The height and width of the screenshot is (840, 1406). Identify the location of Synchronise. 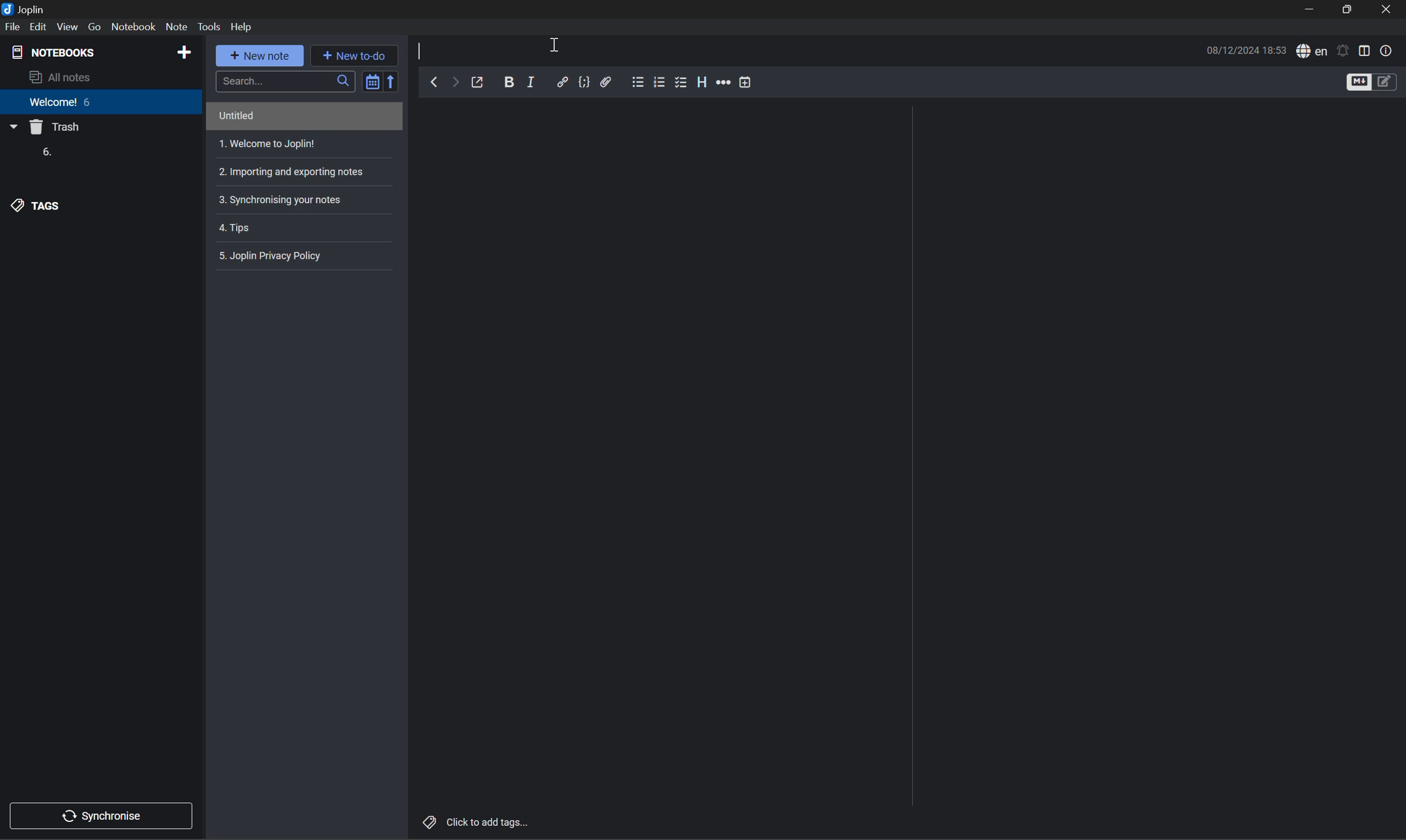
(105, 814).